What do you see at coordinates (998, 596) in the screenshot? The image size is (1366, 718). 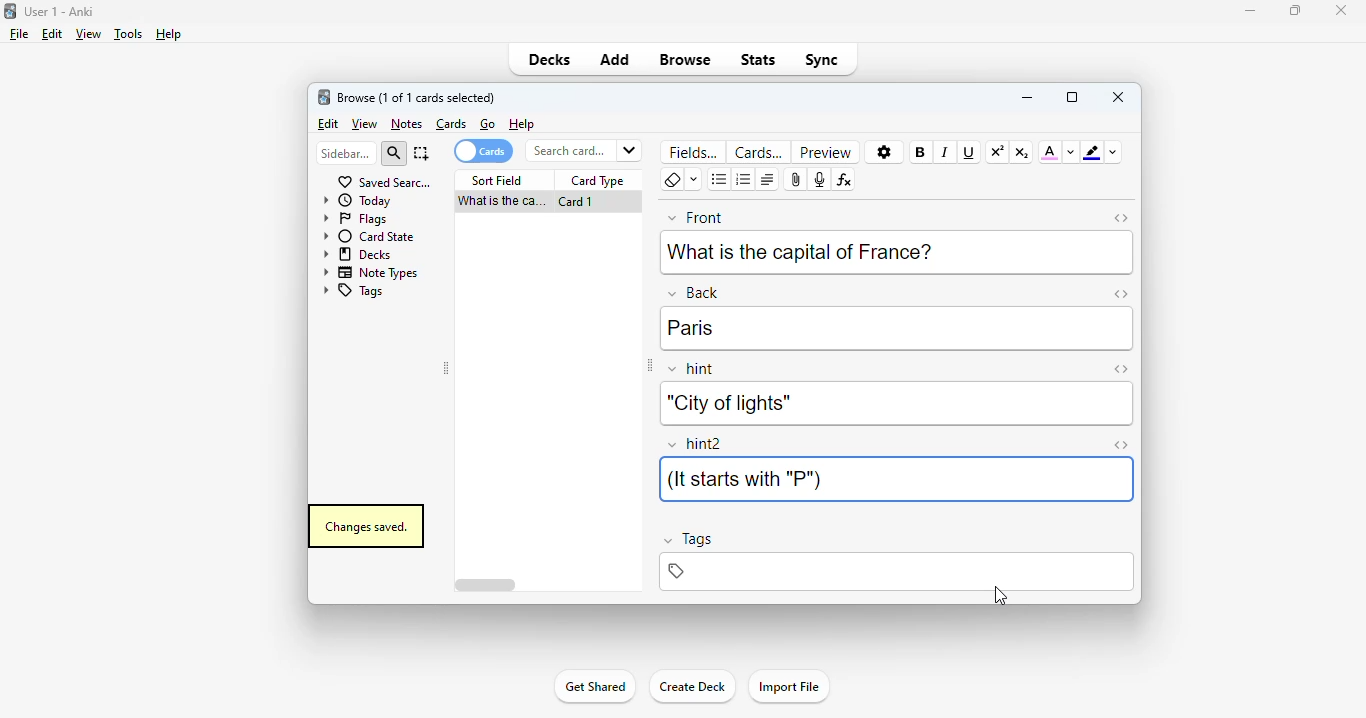 I see `cursor` at bounding box center [998, 596].